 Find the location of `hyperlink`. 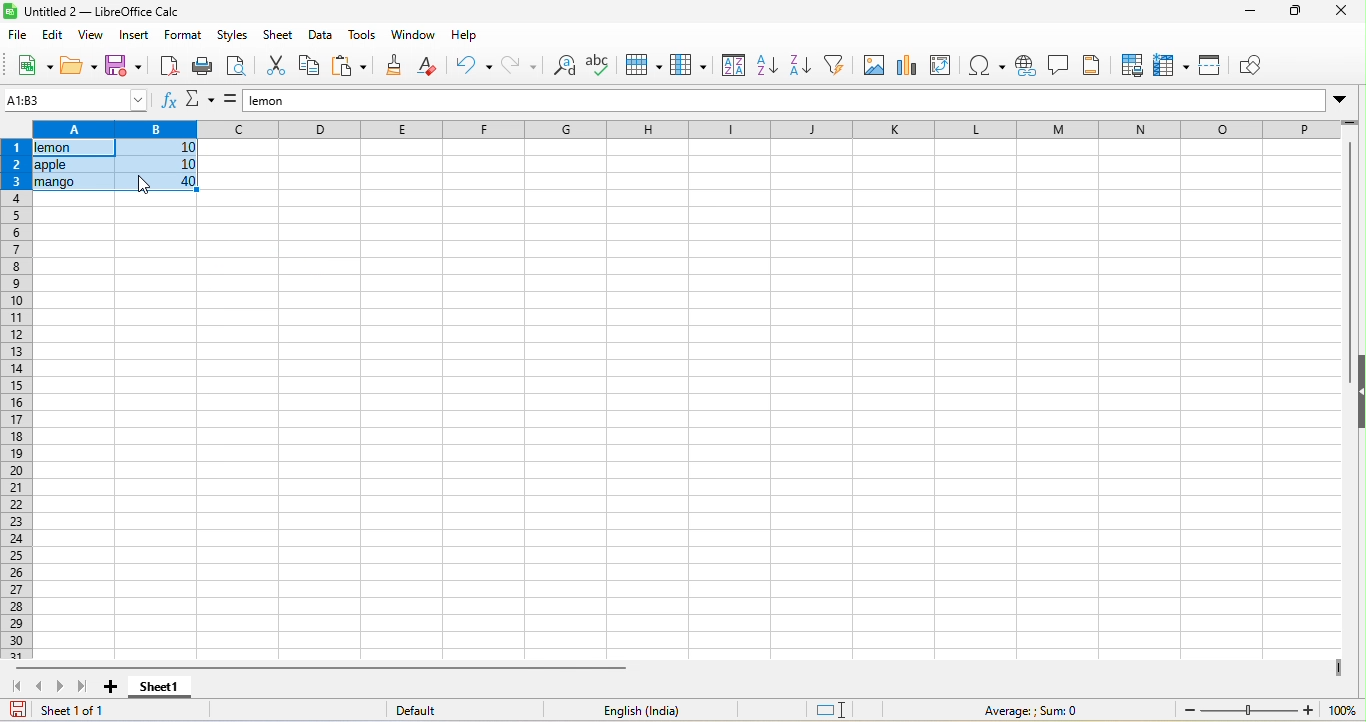

hyperlink is located at coordinates (1028, 65).